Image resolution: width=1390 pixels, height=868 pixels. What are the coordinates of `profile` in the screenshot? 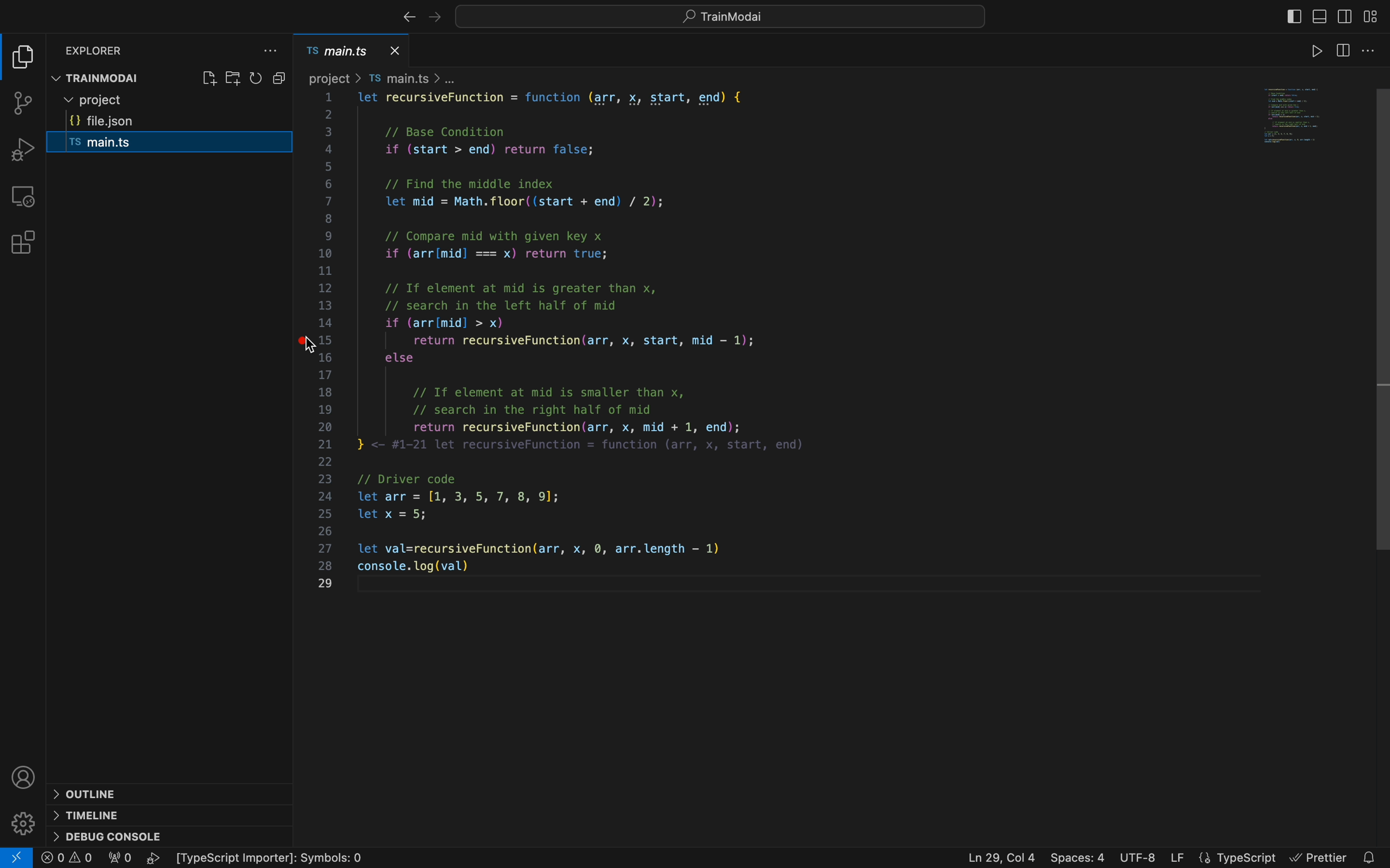 It's located at (25, 779).